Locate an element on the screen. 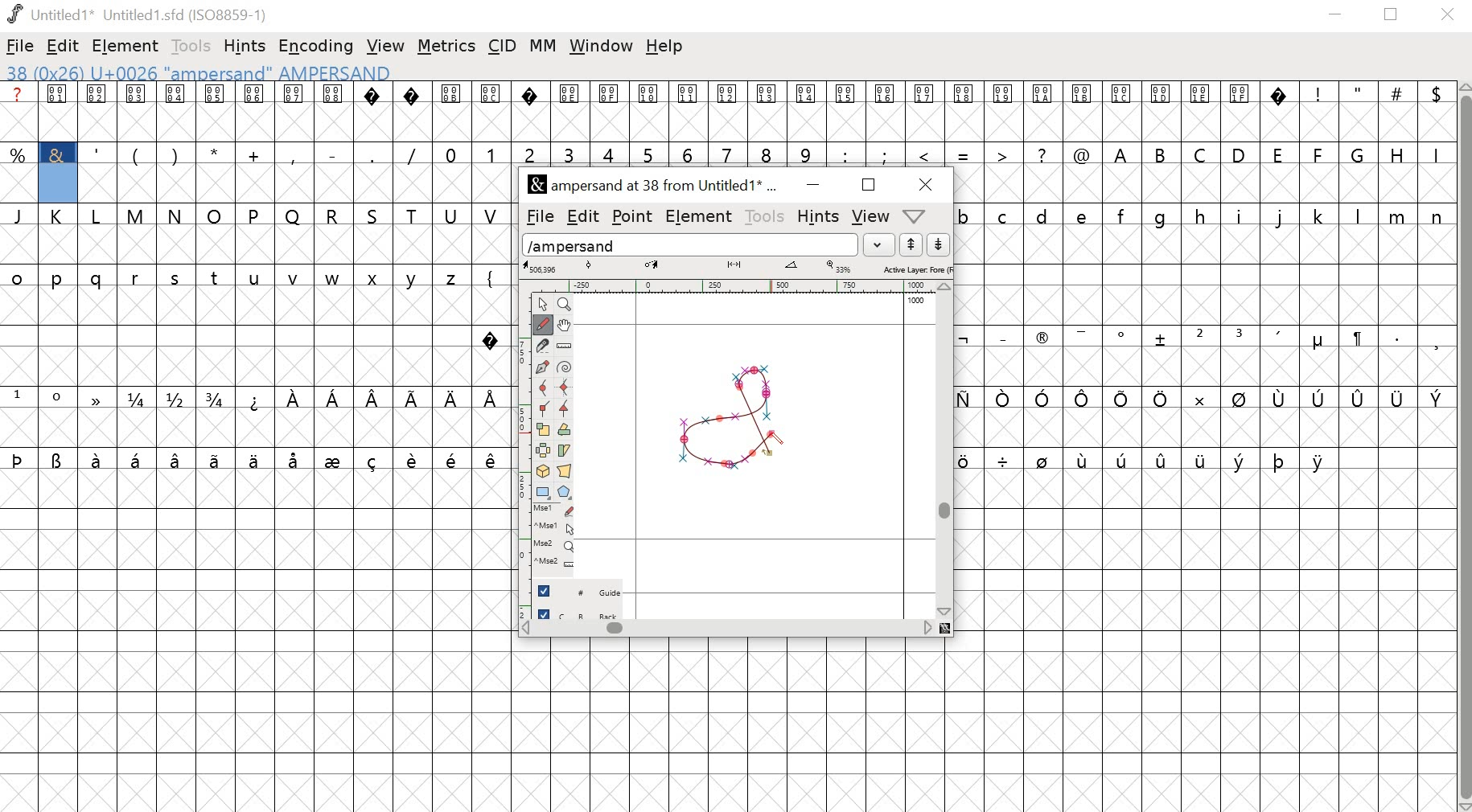  A is located at coordinates (1122, 153).